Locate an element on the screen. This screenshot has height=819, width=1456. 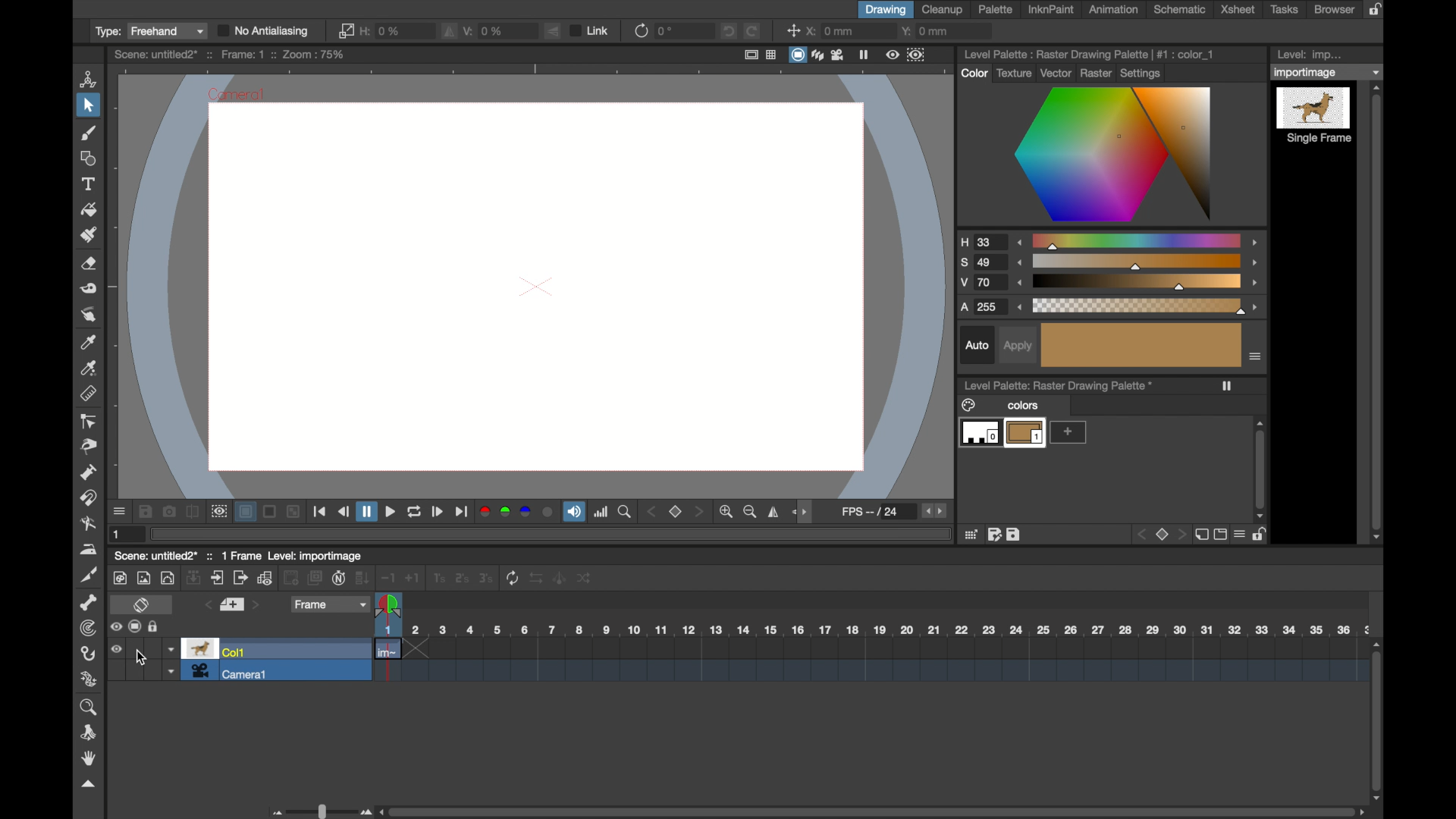
screen is located at coordinates (270, 512).